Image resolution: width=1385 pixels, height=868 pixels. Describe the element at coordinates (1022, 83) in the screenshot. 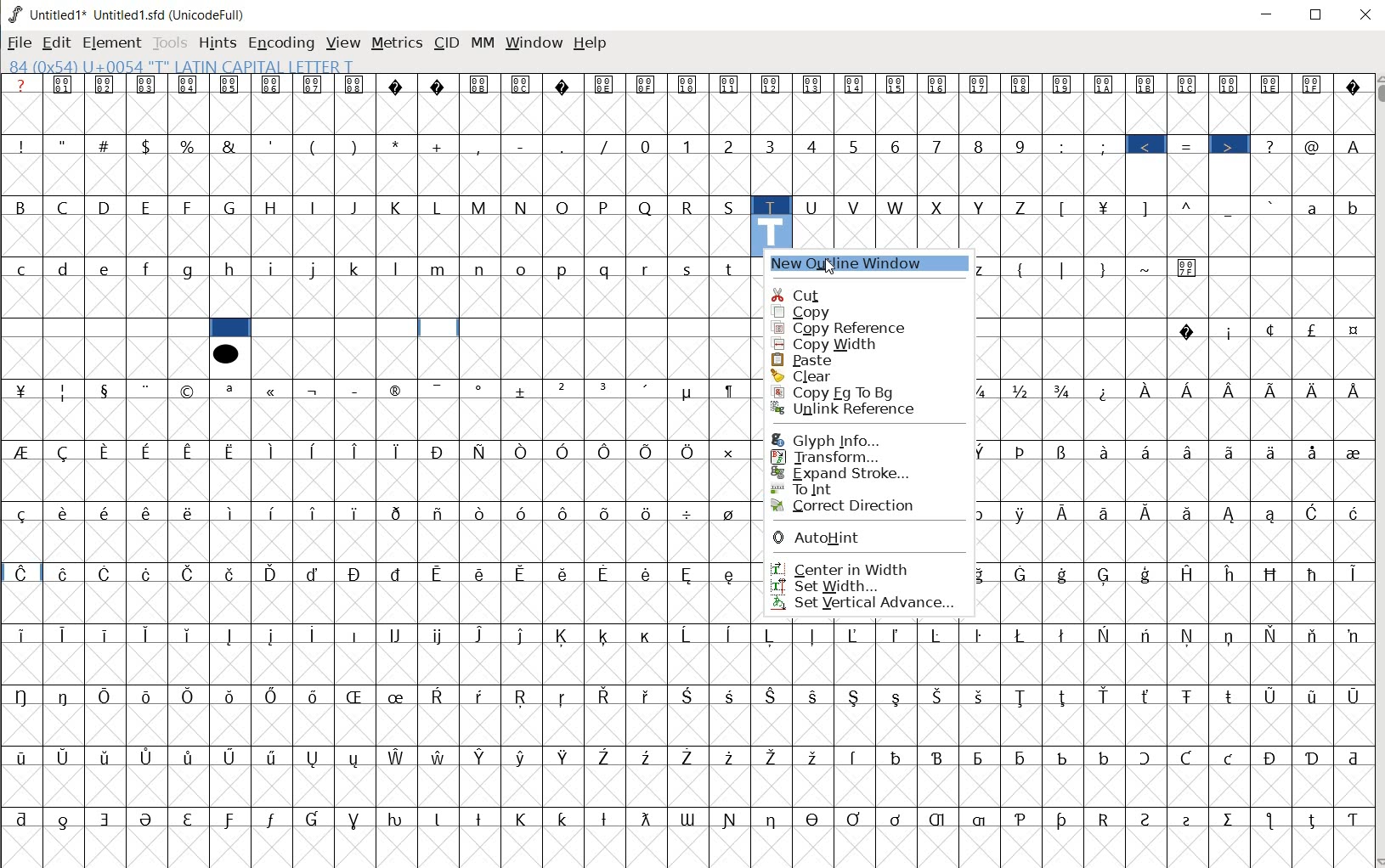

I see `Symbol` at that location.